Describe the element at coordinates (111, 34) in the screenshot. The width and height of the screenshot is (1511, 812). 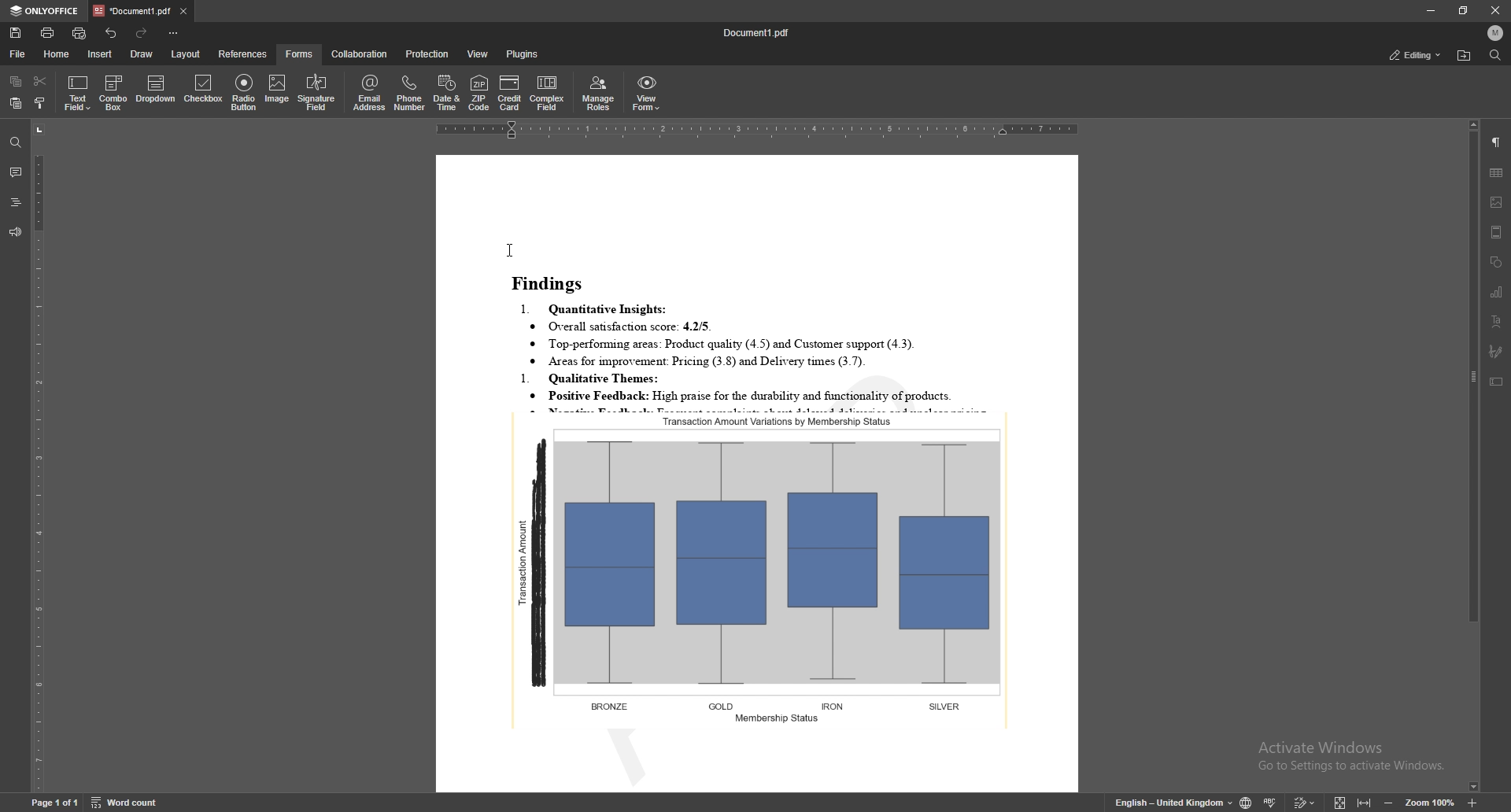
I see `undo` at that location.